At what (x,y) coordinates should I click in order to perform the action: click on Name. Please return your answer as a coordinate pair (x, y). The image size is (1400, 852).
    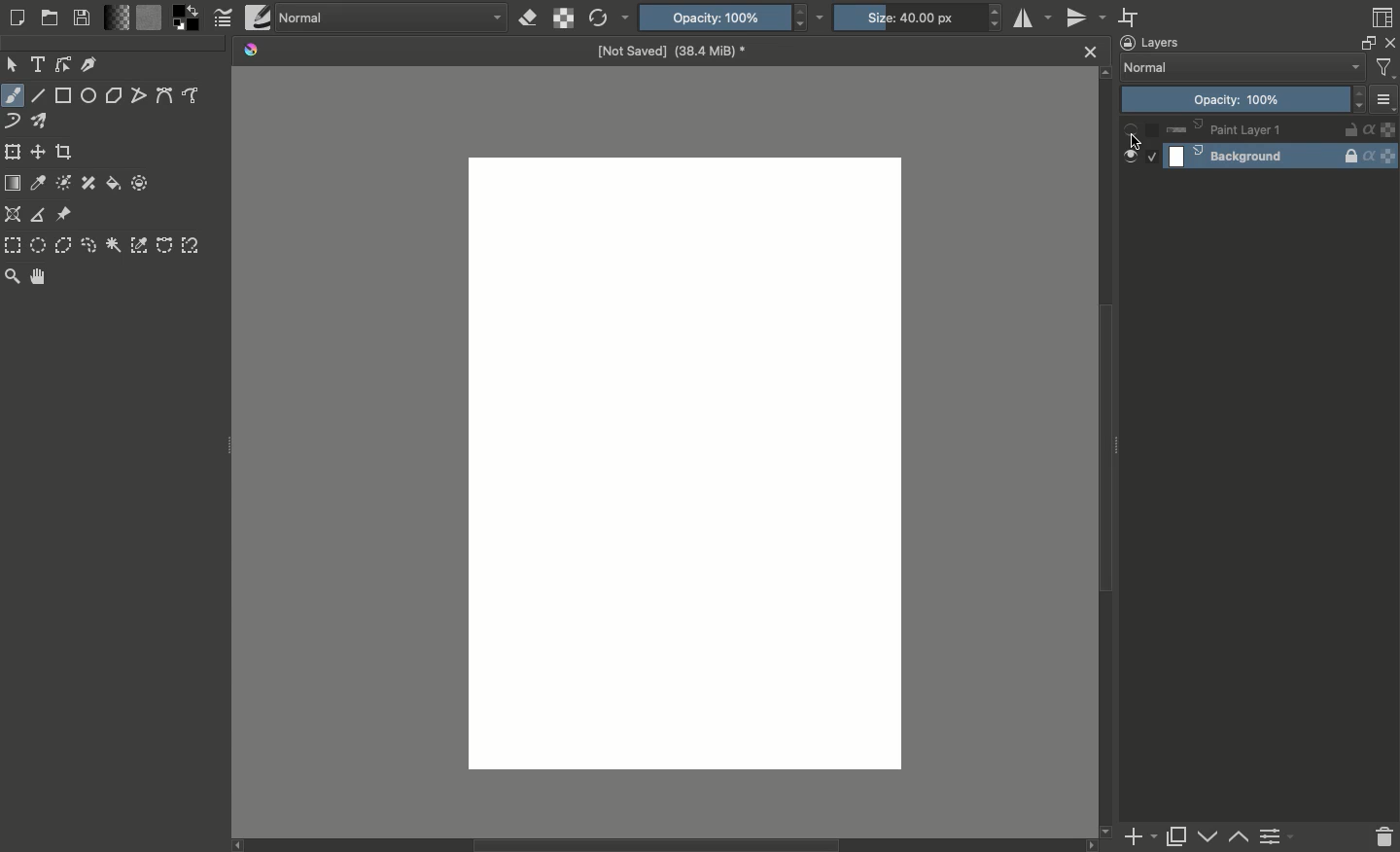
    Looking at the image, I should click on (679, 54).